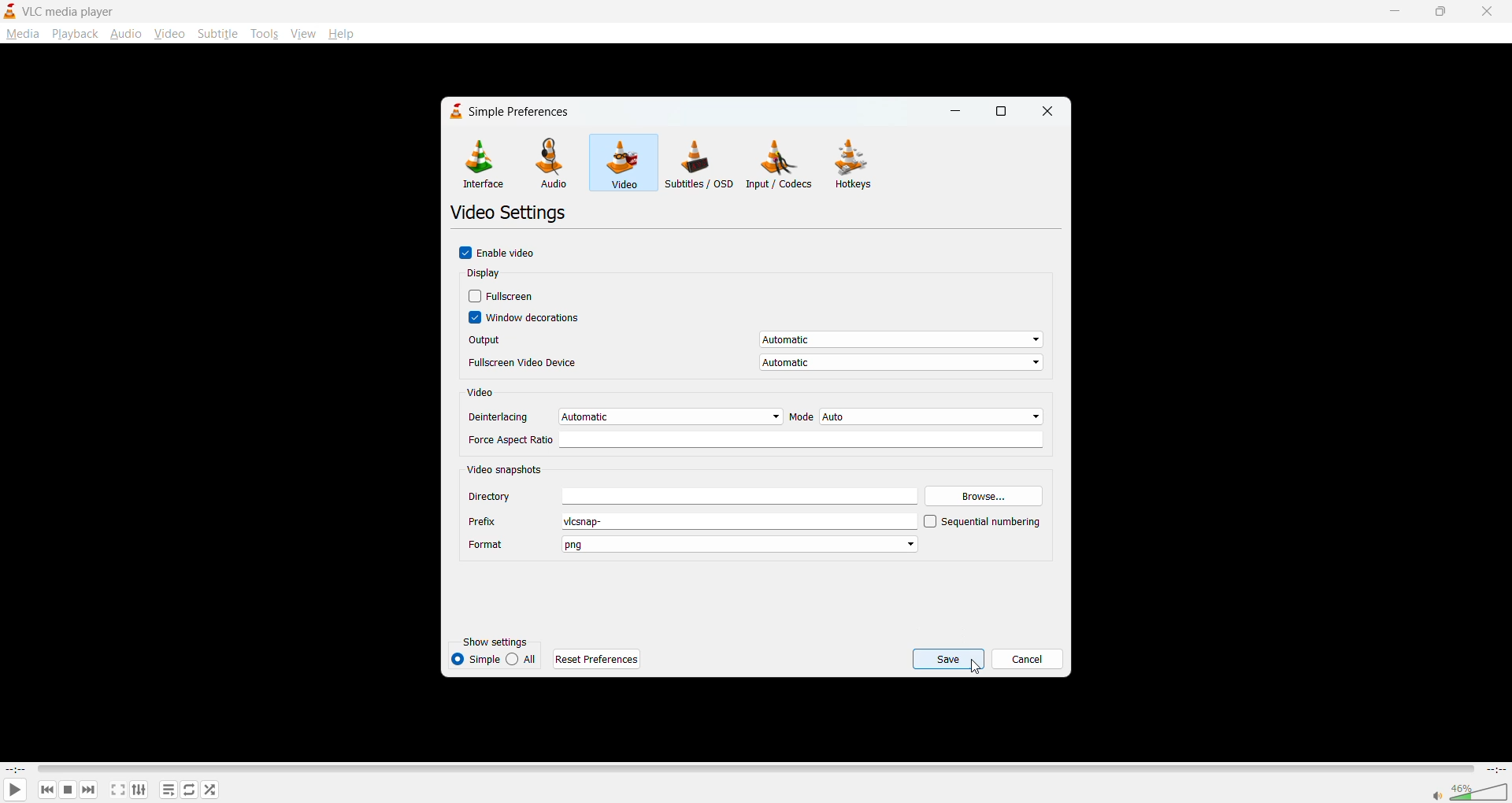 This screenshot has height=803, width=1512. What do you see at coordinates (136, 791) in the screenshot?
I see `settings` at bounding box center [136, 791].